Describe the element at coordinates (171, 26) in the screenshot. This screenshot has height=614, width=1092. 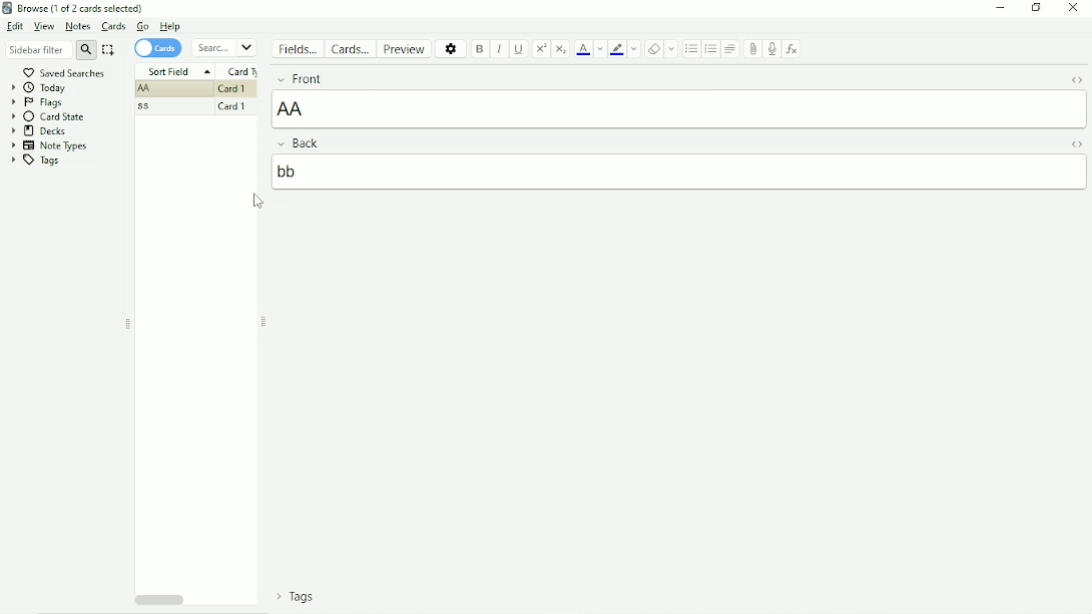
I see `Help` at that location.